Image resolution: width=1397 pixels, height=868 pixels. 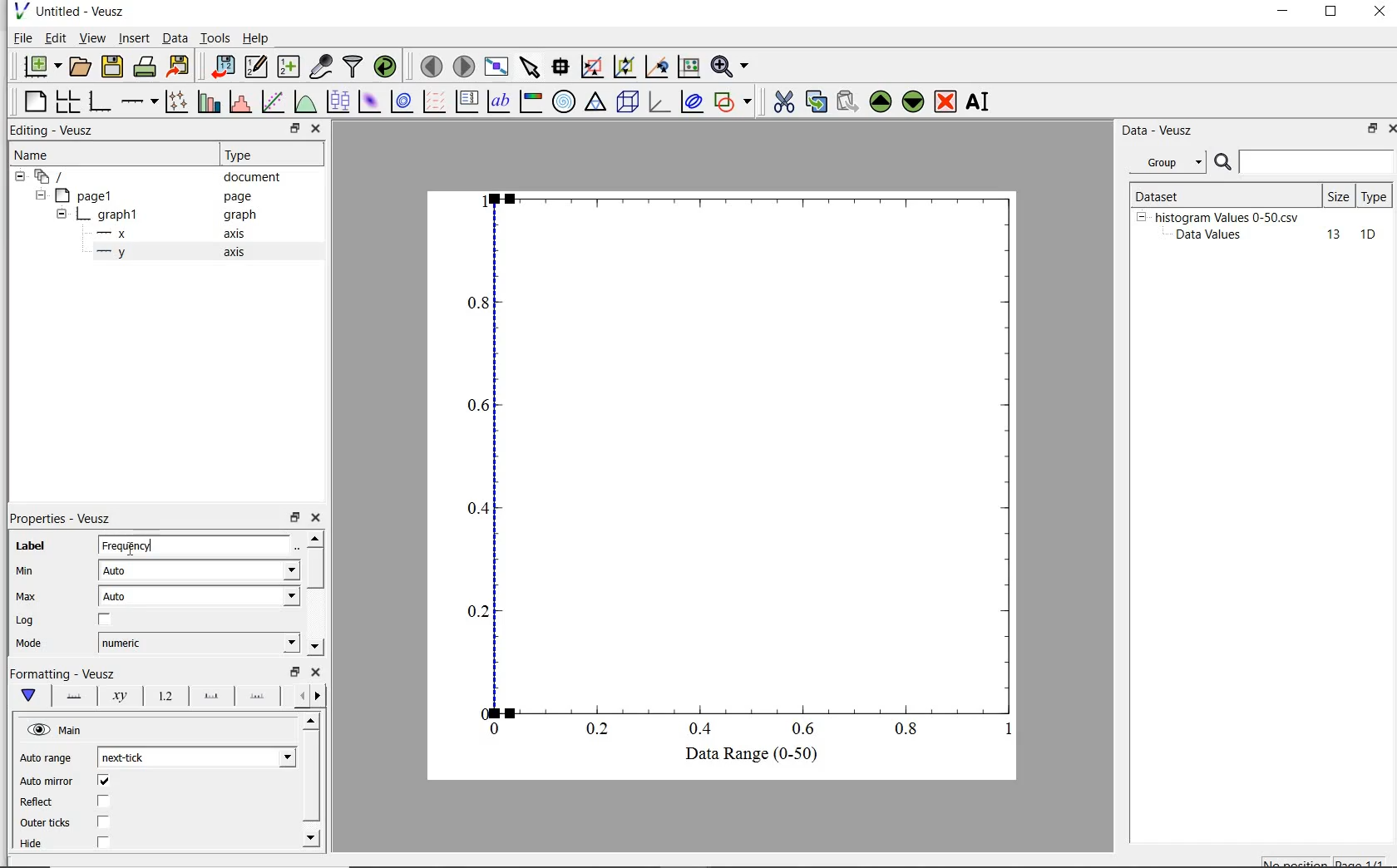 I want to click on checkbox, so click(x=103, y=843).